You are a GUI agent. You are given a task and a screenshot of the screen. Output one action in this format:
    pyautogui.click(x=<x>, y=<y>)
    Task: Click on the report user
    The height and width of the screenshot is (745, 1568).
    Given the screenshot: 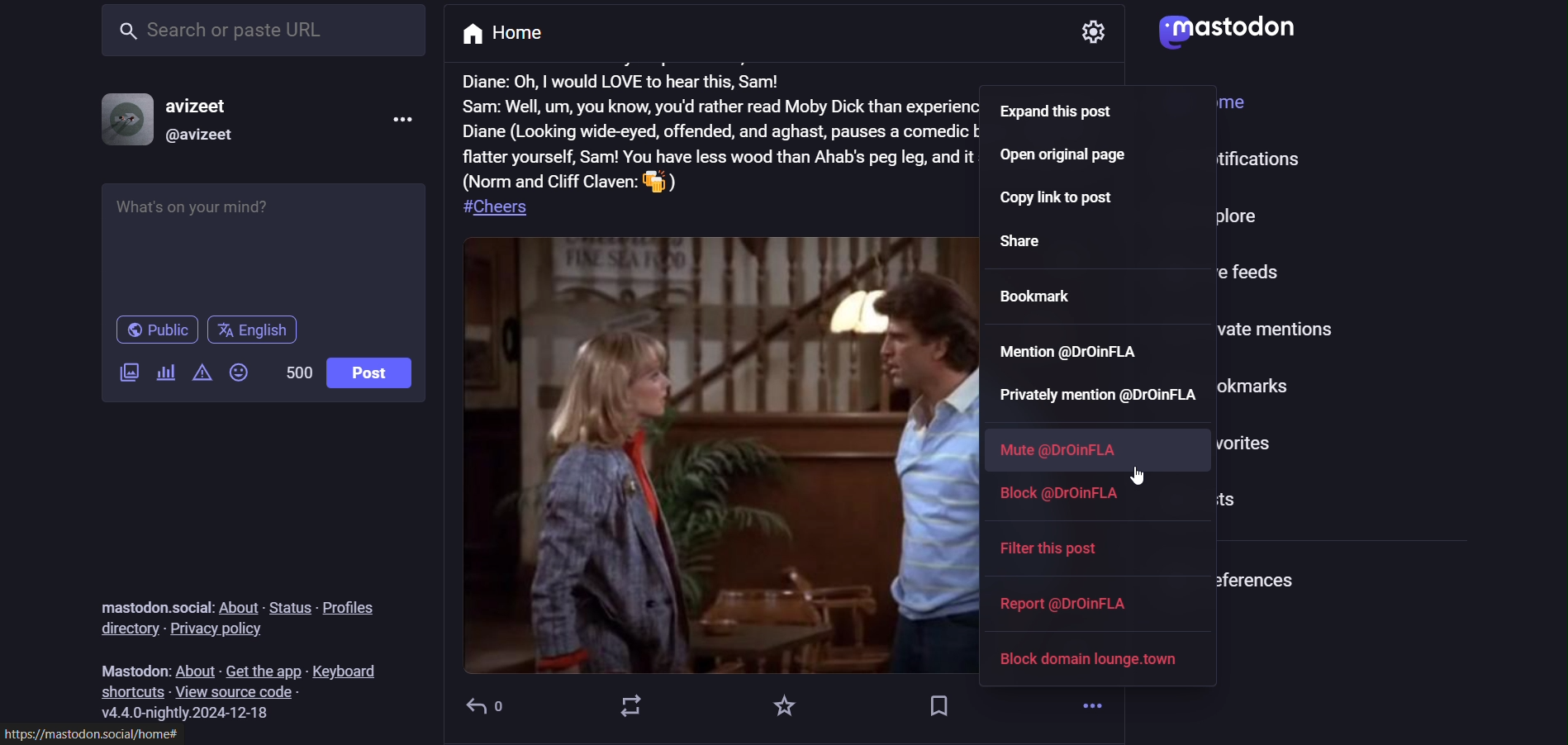 What is the action you would take?
    pyautogui.click(x=1068, y=603)
    